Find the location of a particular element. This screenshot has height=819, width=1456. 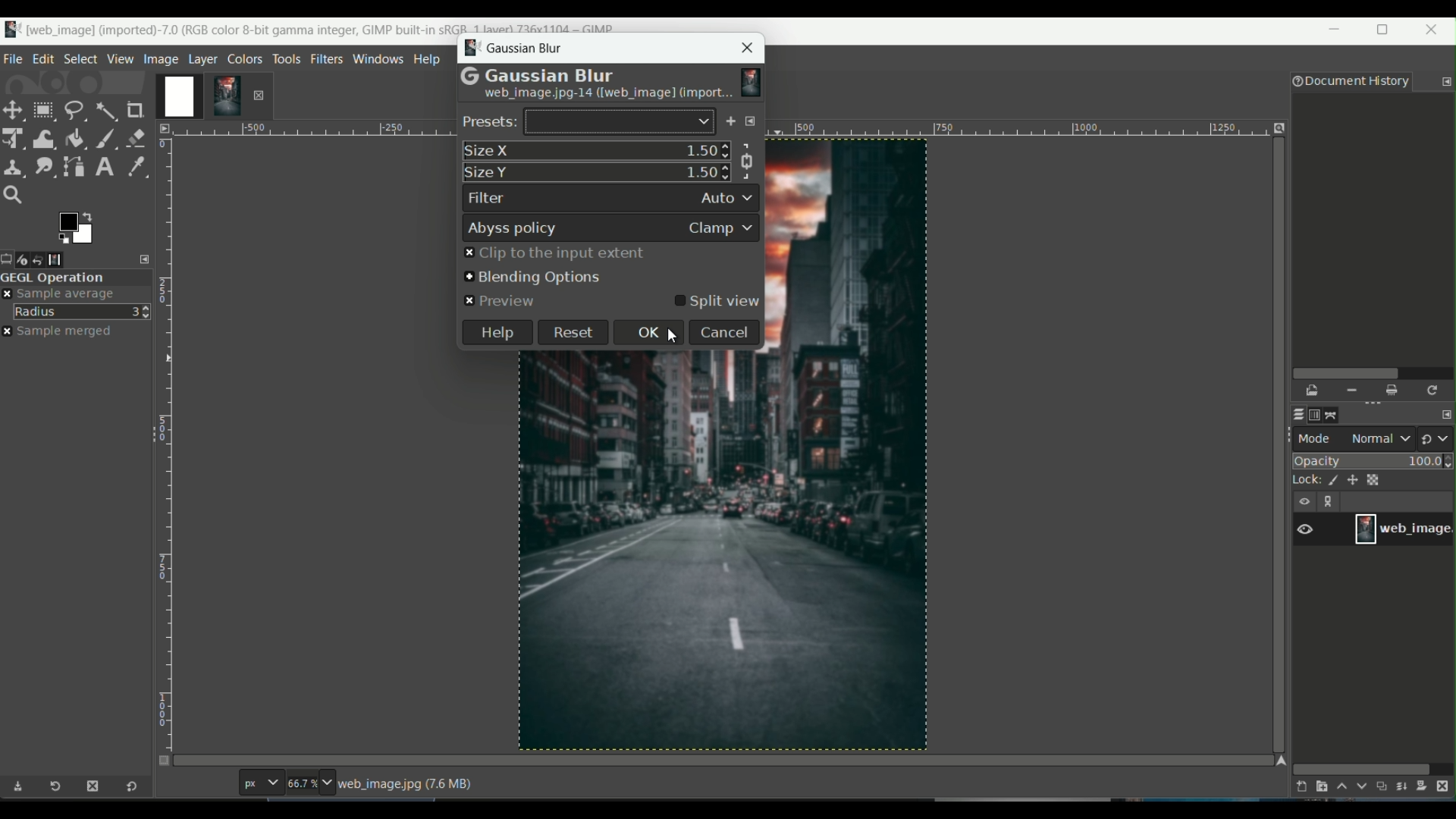

remove the selected entry is located at coordinates (1351, 391).